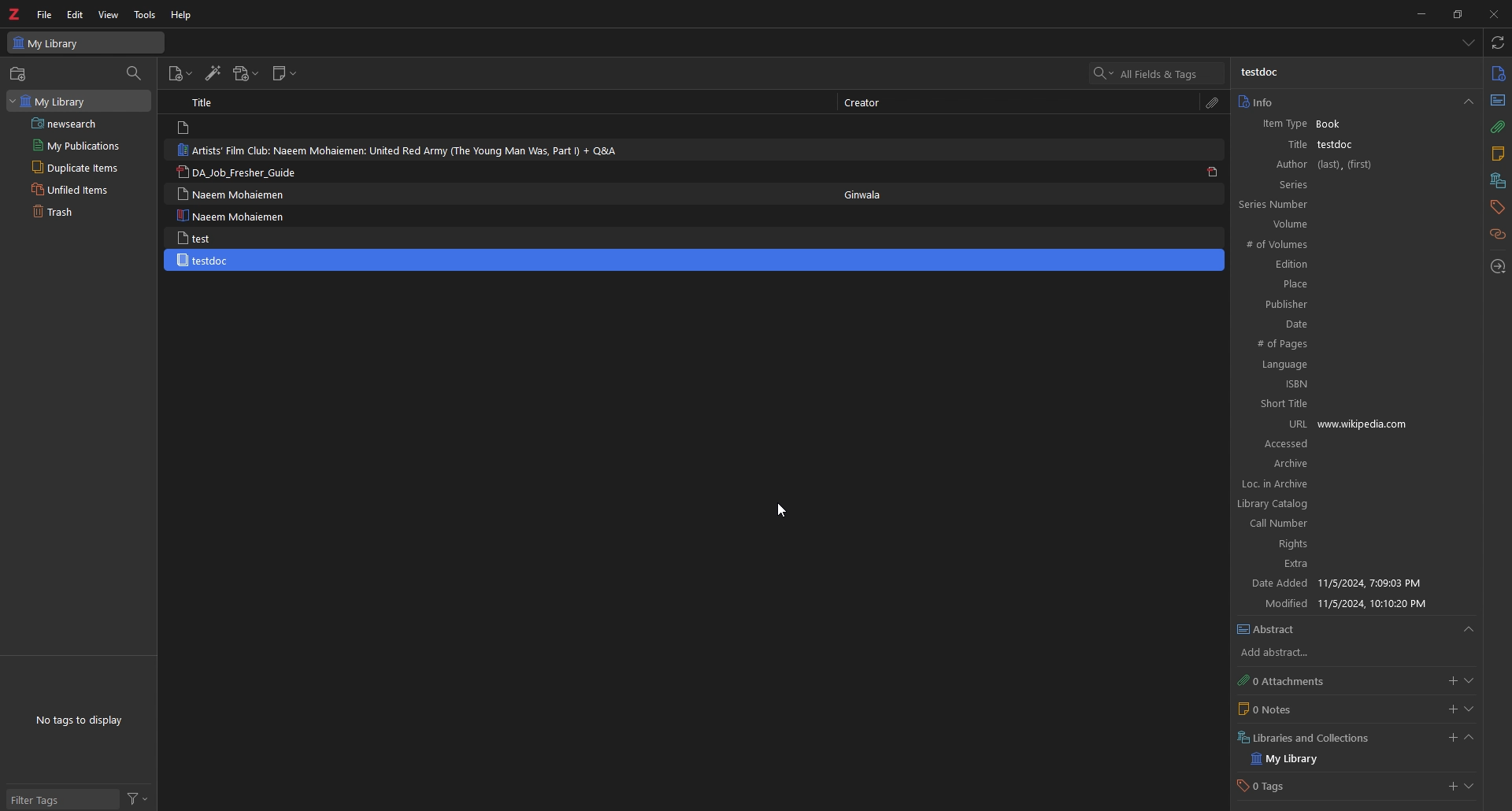 This screenshot has width=1512, height=811. Describe the element at coordinates (1322, 224) in the screenshot. I see `Volume` at that location.